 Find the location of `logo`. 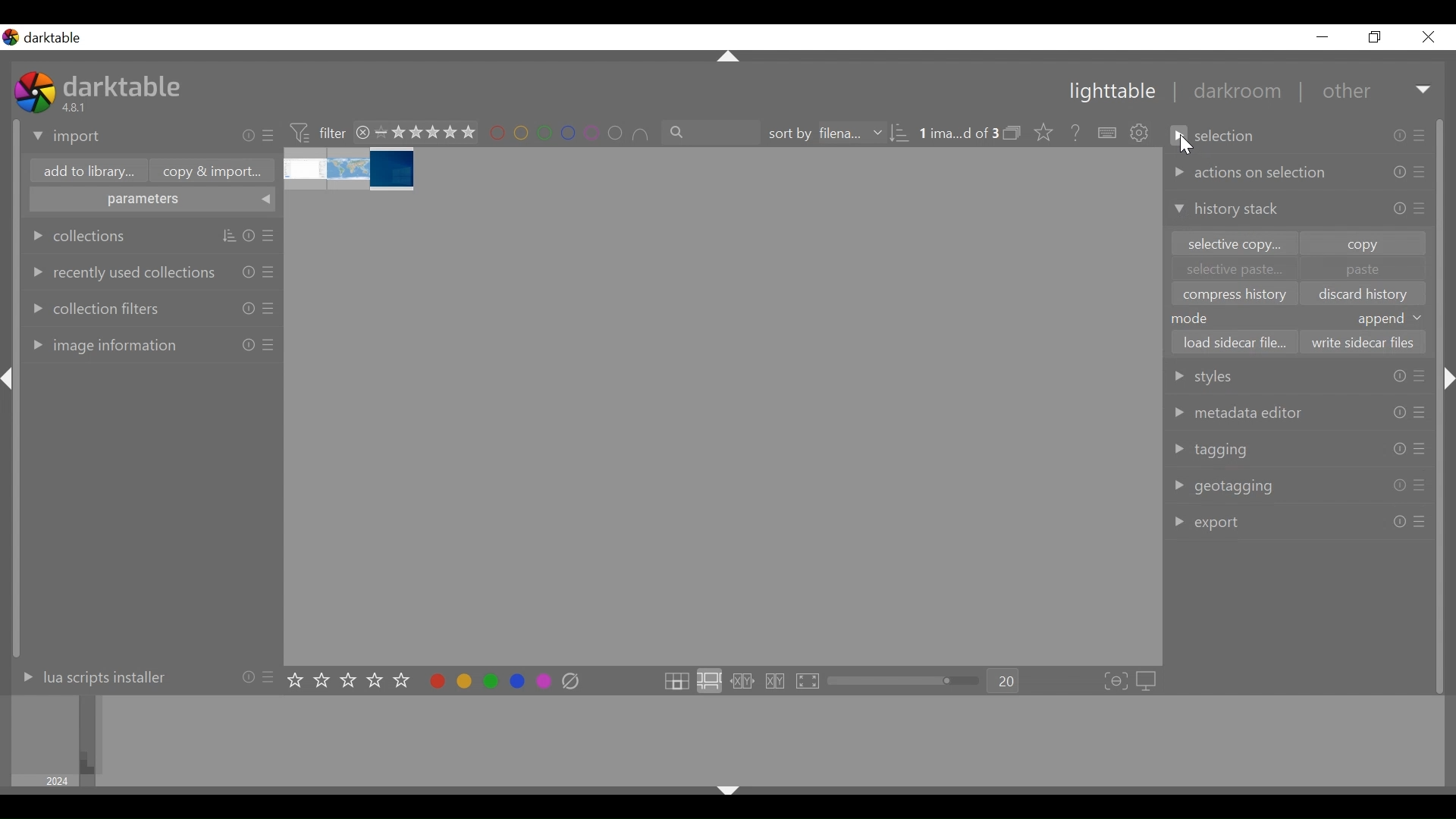

logo is located at coordinates (35, 92).